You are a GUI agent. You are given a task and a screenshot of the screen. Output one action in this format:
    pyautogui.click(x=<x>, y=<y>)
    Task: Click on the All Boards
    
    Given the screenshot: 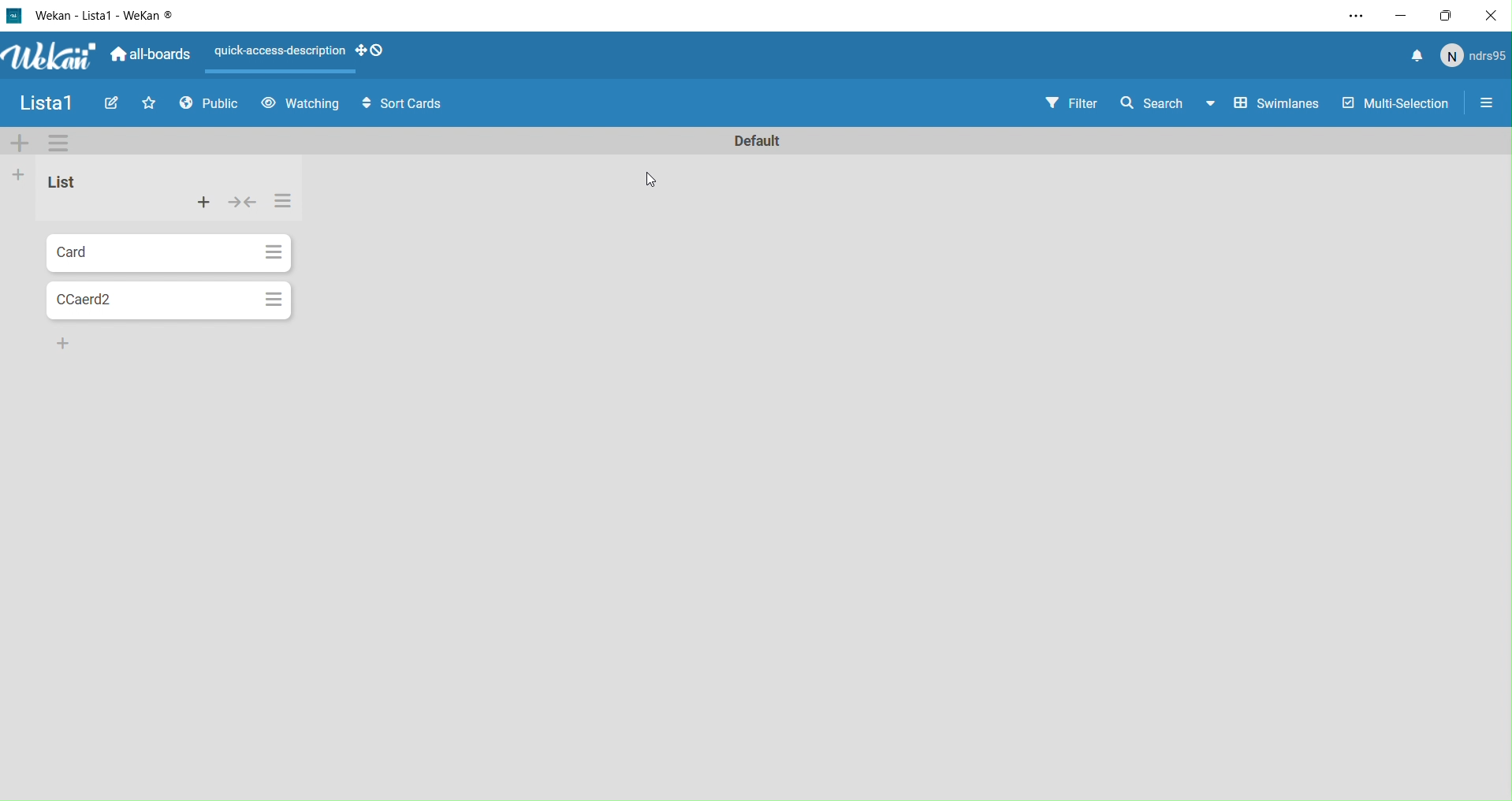 What is the action you would take?
    pyautogui.click(x=149, y=59)
    